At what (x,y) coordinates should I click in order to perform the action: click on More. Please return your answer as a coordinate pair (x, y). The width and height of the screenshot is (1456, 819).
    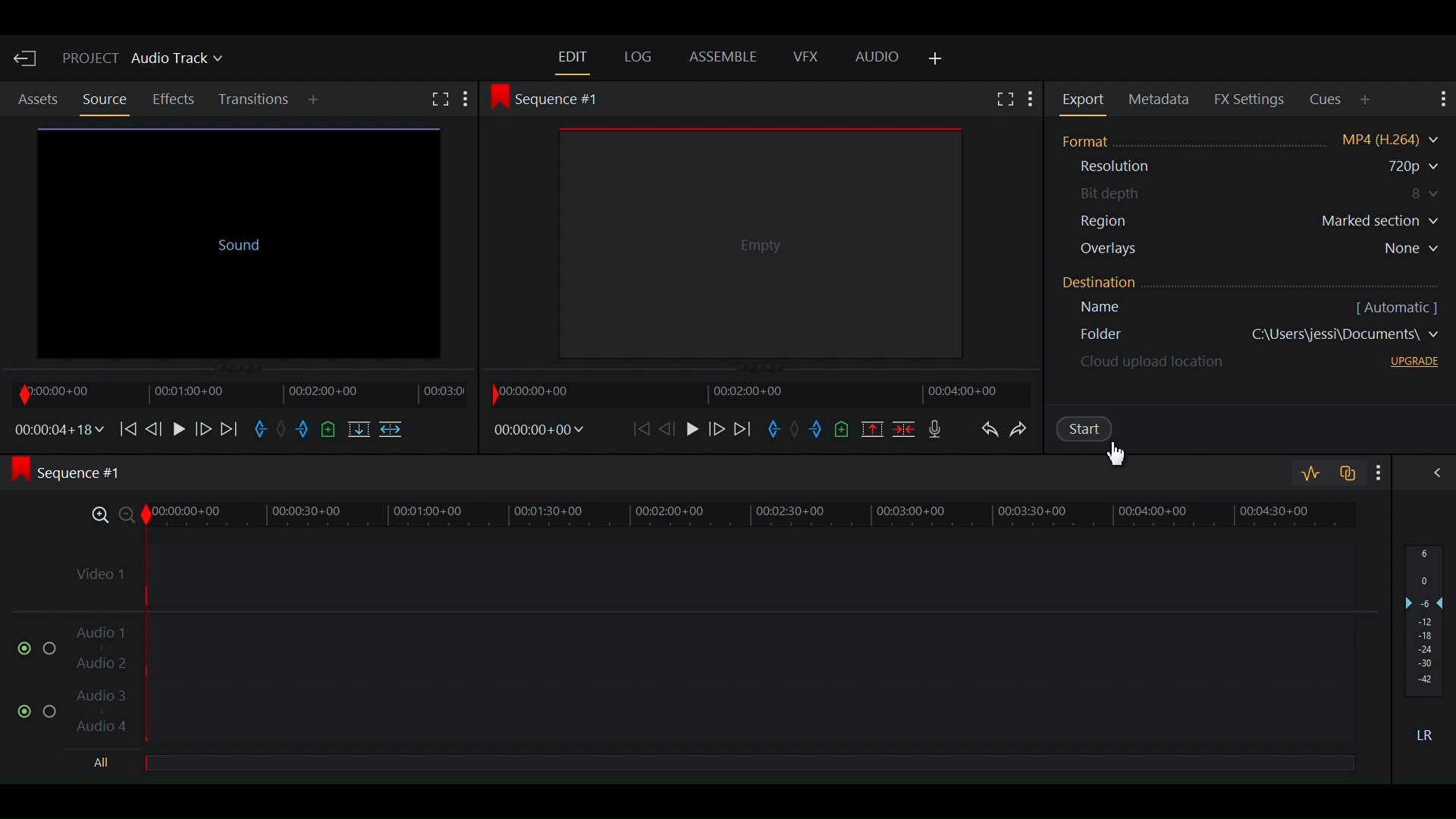
    Looking at the image, I should click on (471, 99).